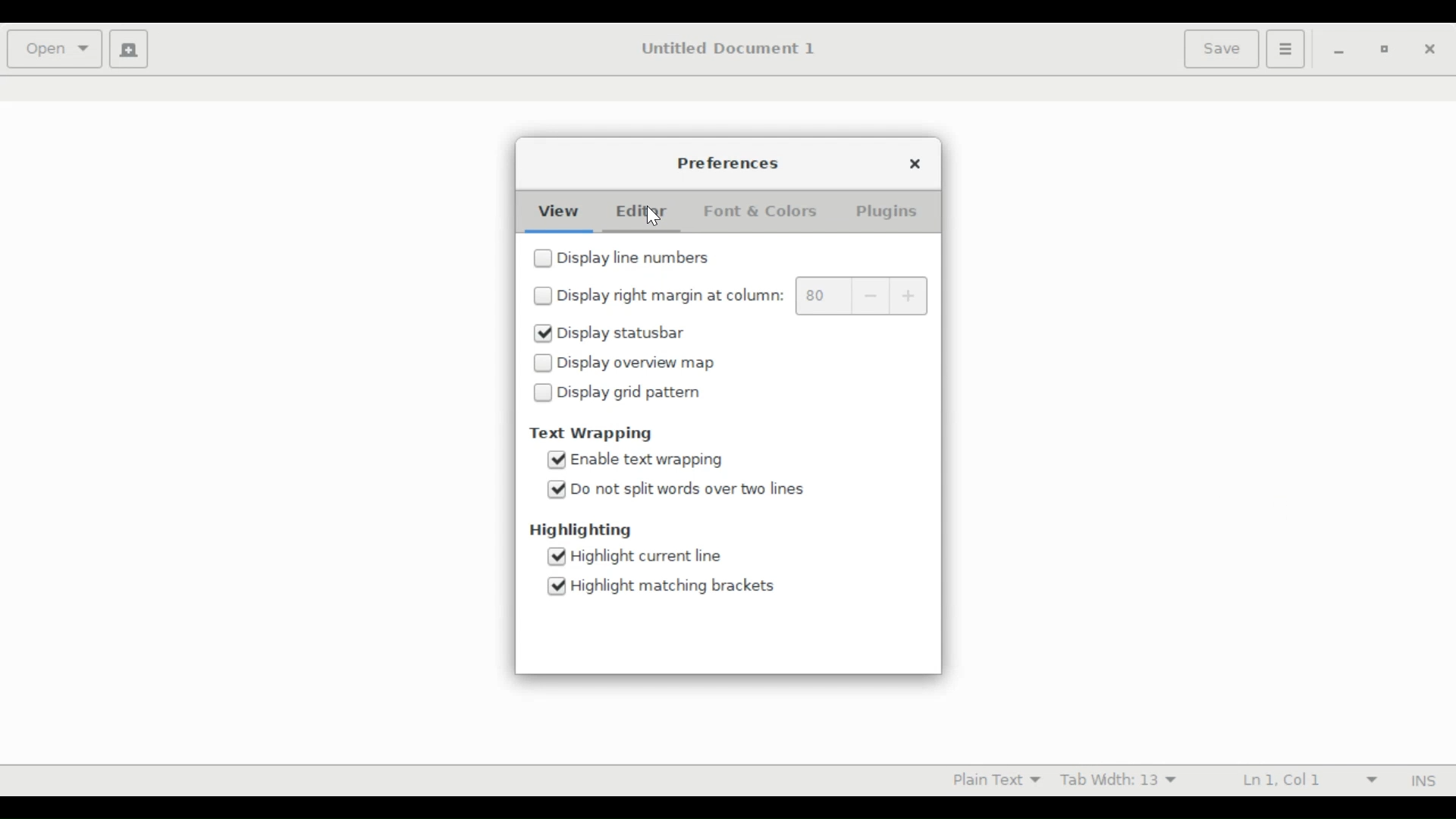  What do you see at coordinates (641, 364) in the screenshot?
I see `(un)check Display overview map` at bounding box center [641, 364].